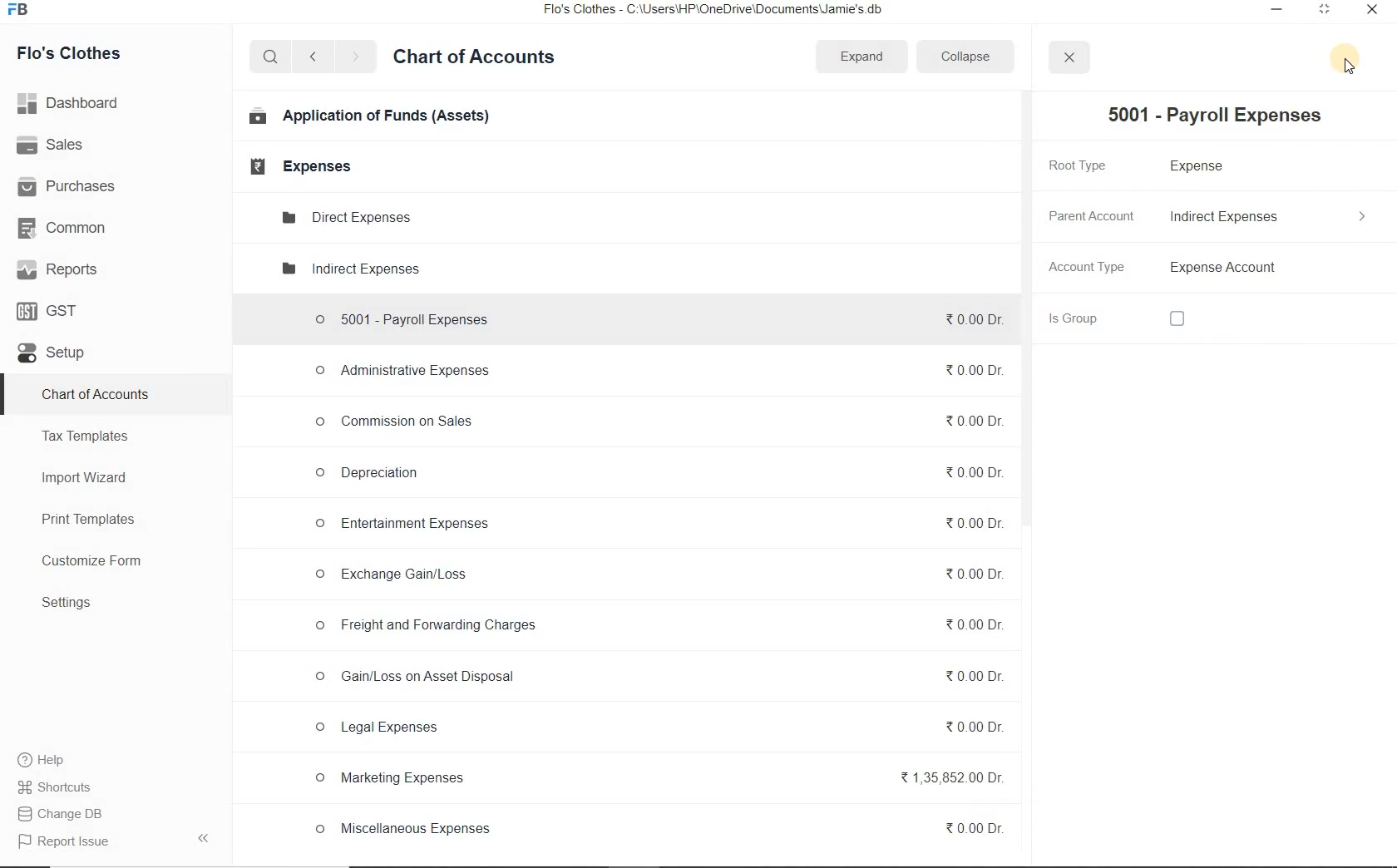 The height and width of the screenshot is (868, 1397). I want to click on Chart of Accounts, so click(95, 396).